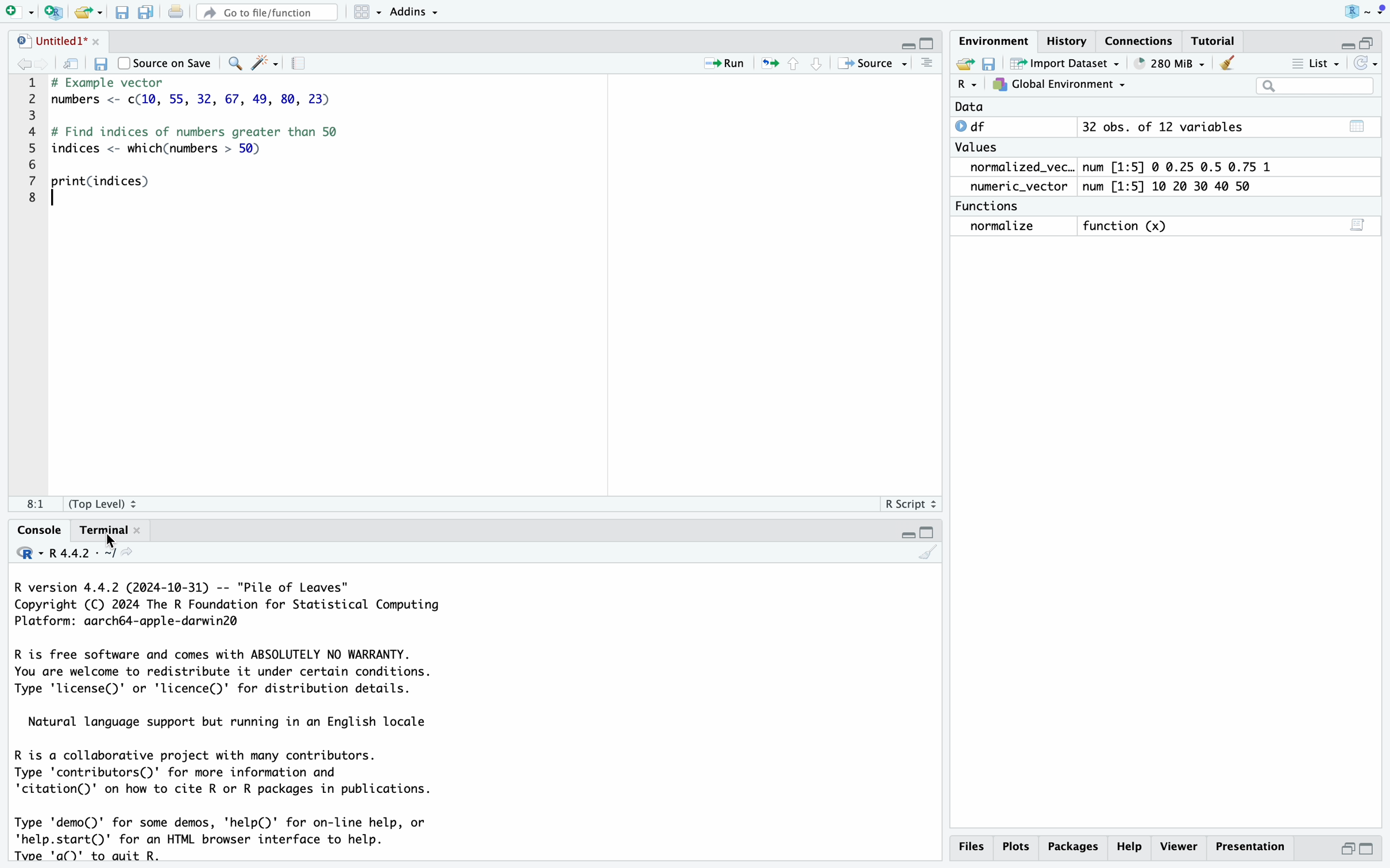  Describe the element at coordinates (102, 63) in the screenshot. I see `save` at that location.